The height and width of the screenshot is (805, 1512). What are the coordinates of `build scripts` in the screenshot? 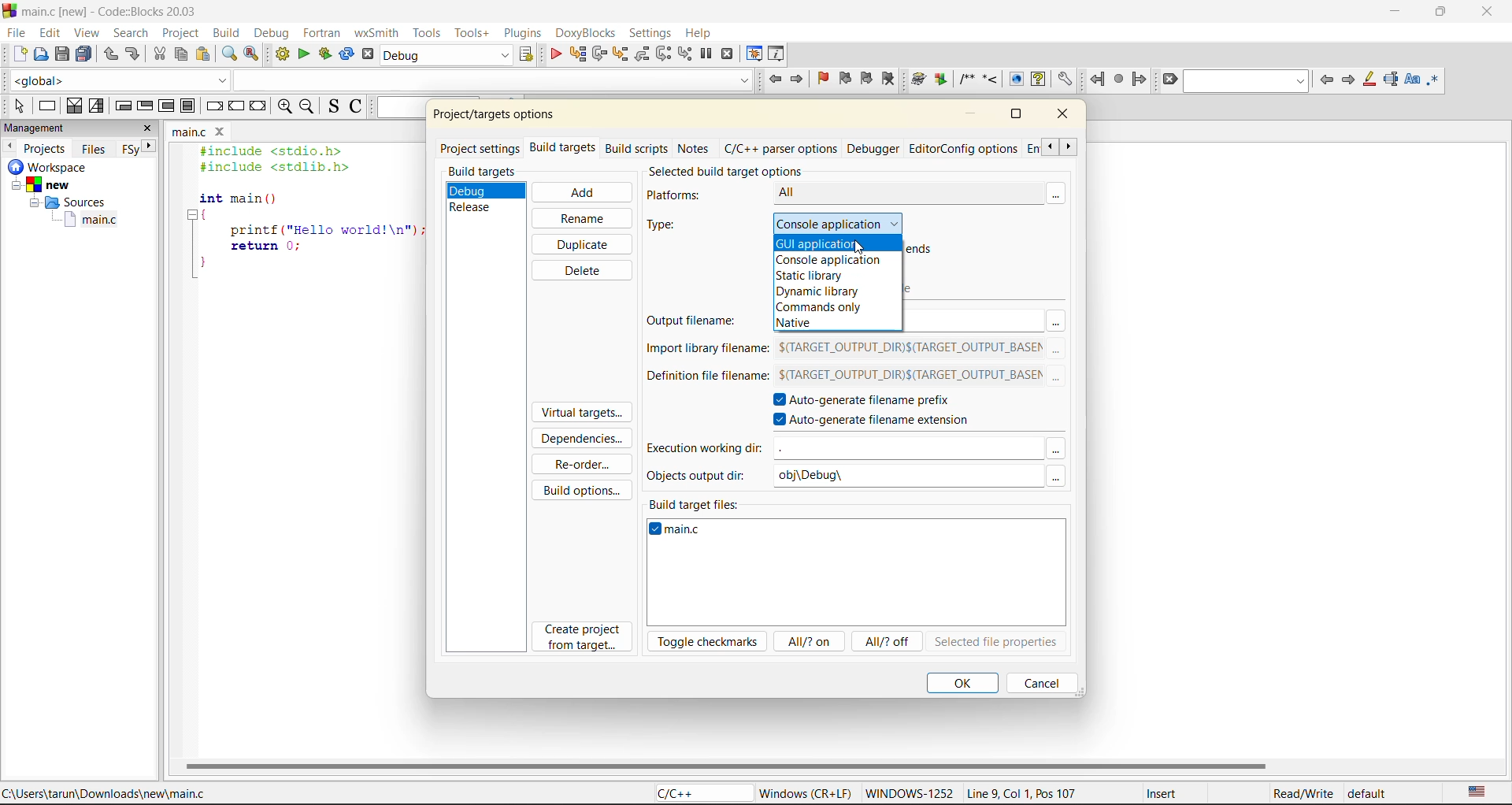 It's located at (638, 149).